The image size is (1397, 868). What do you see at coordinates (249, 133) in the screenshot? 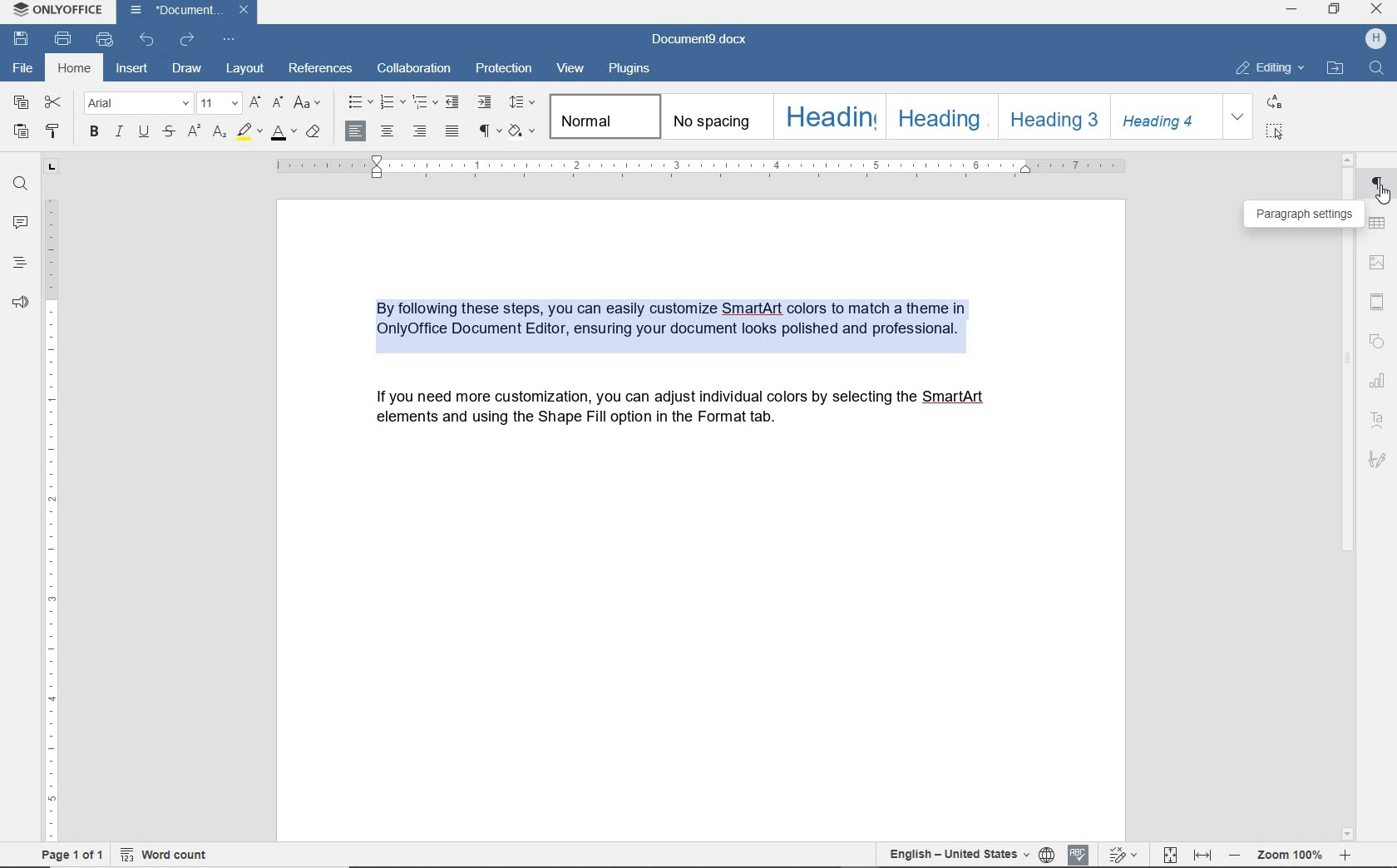
I see `highlight color` at bounding box center [249, 133].